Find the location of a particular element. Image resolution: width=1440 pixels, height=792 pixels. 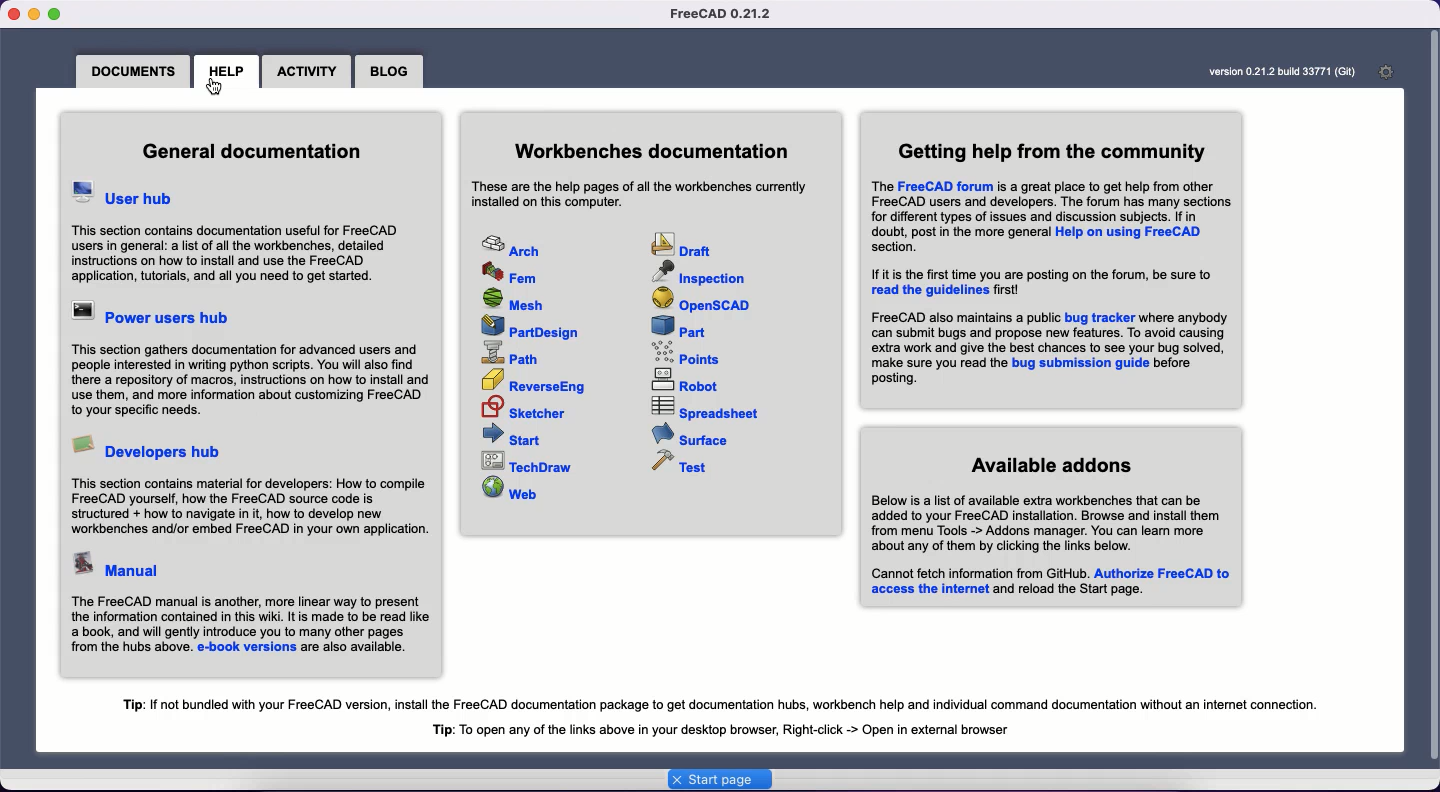

ReverseEng is located at coordinates (538, 380).